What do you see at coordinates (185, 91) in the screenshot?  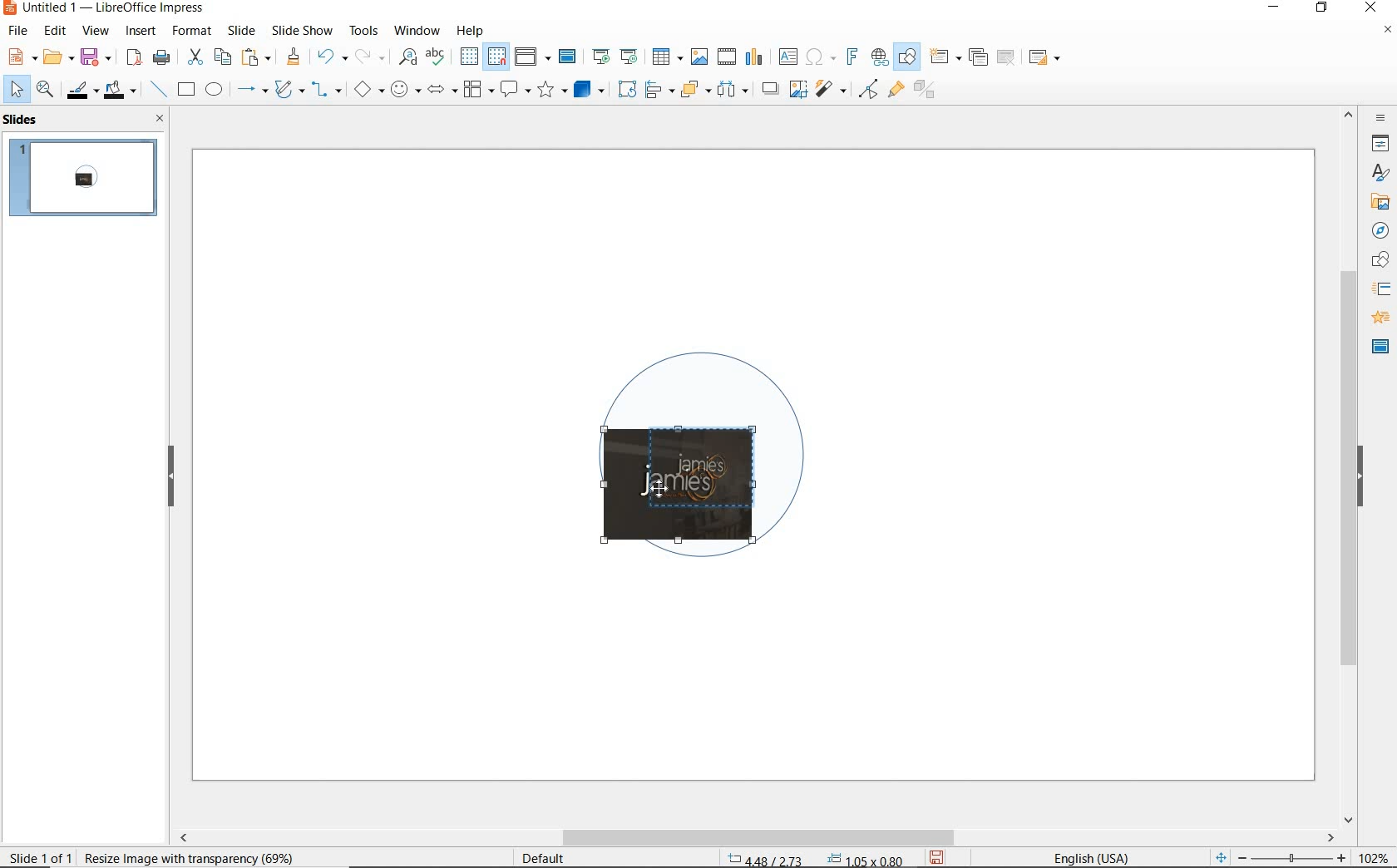 I see `rectangle` at bounding box center [185, 91].